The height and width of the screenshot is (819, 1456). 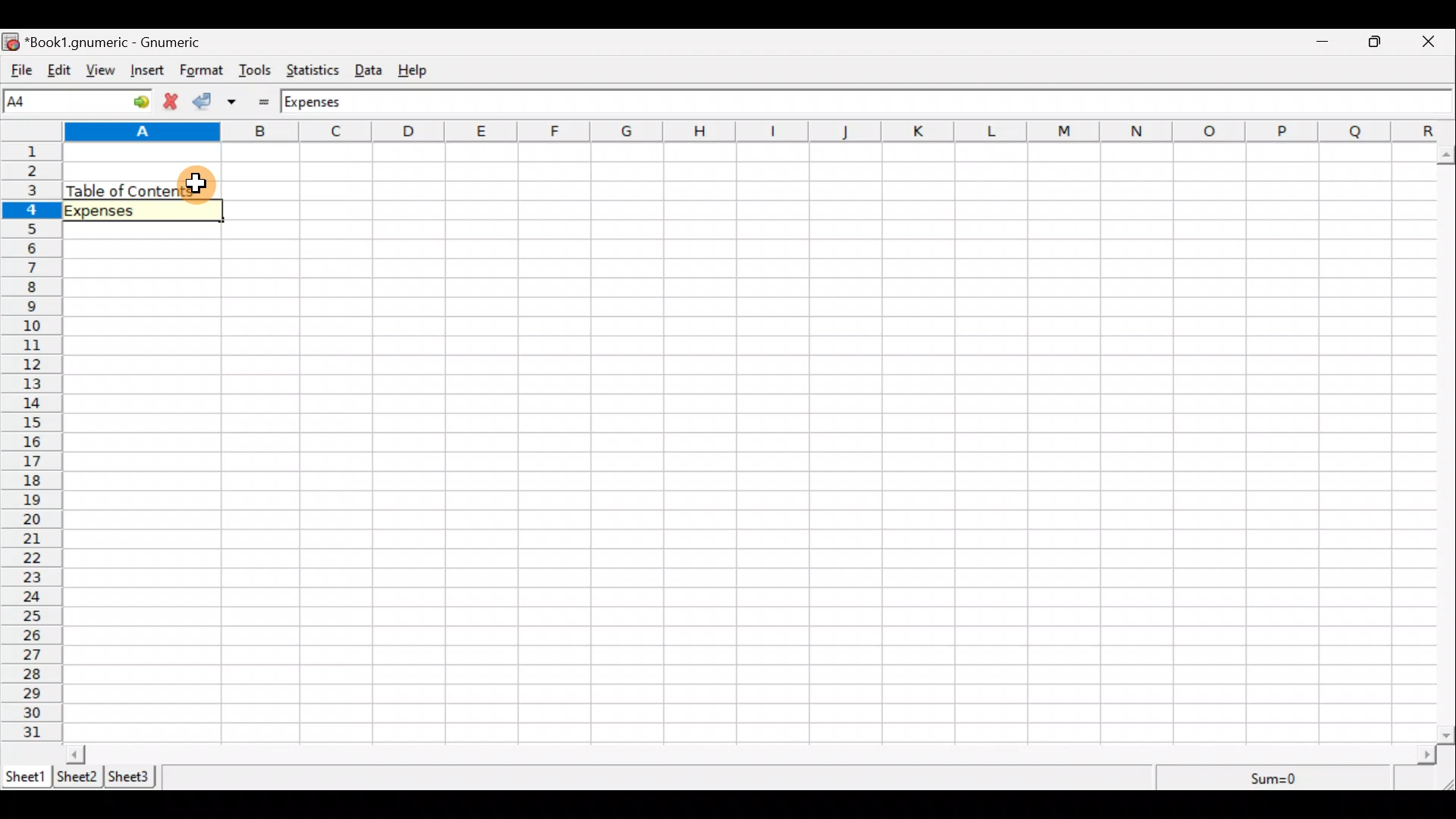 What do you see at coordinates (315, 72) in the screenshot?
I see `Statistics` at bounding box center [315, 72].